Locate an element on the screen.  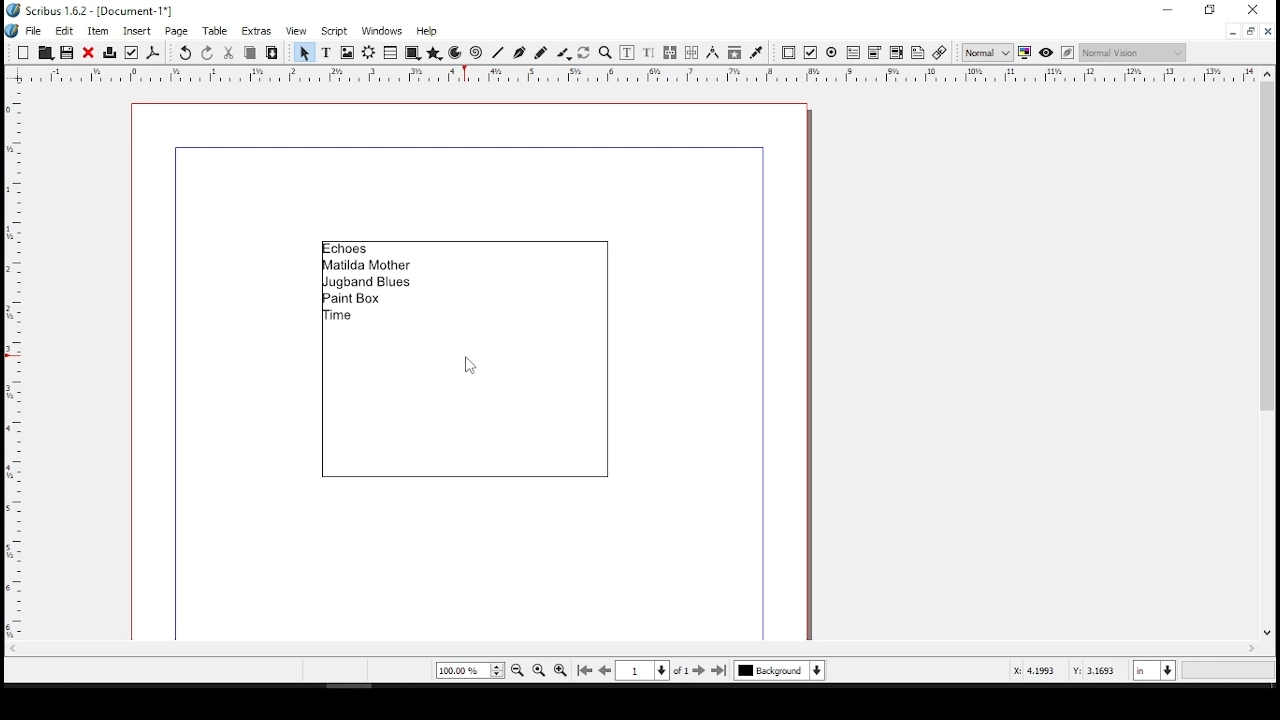
redo is located at coordinates (208, 52).